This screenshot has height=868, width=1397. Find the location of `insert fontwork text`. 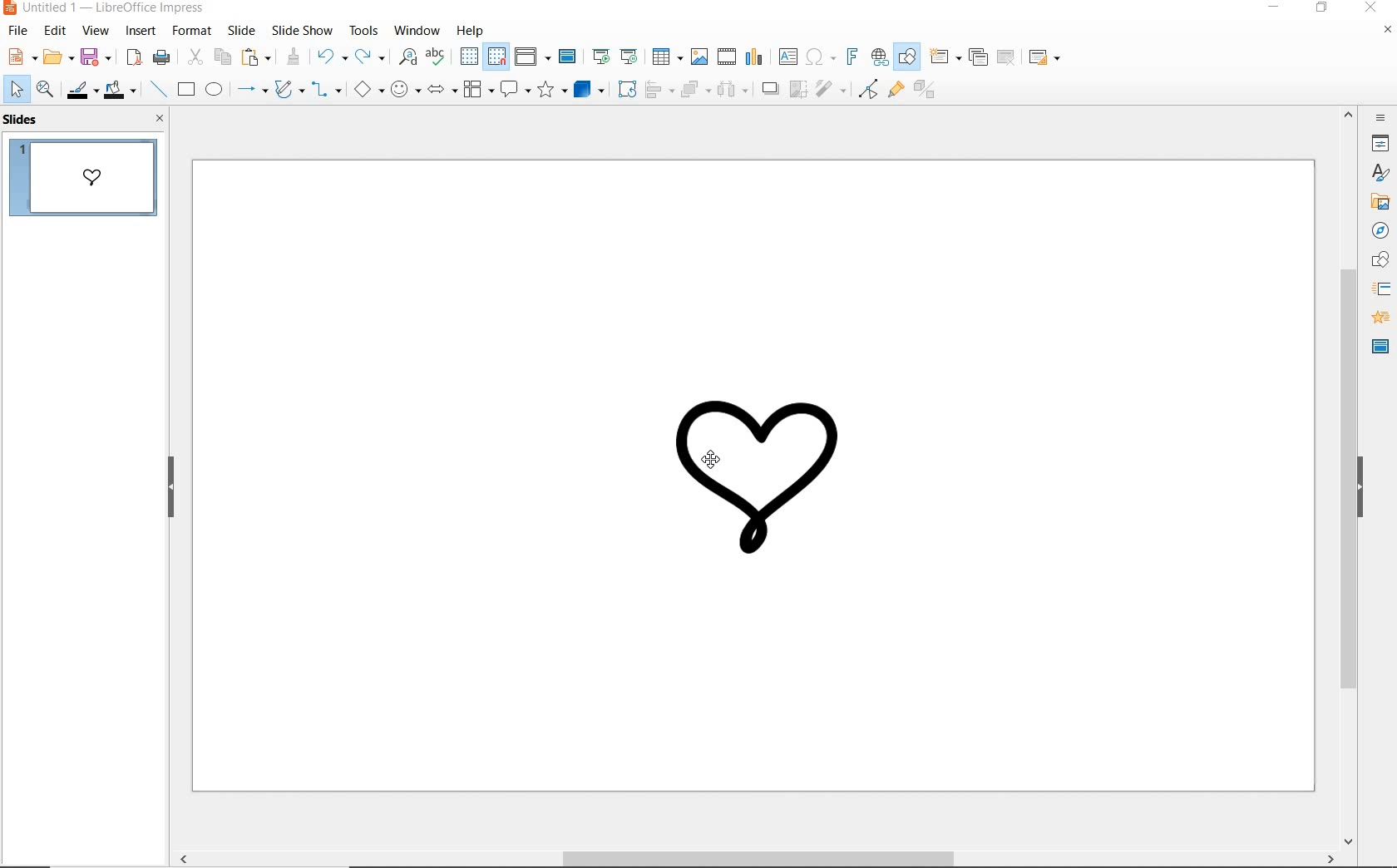

insert fontwork text is located at coordinates (852, 56).